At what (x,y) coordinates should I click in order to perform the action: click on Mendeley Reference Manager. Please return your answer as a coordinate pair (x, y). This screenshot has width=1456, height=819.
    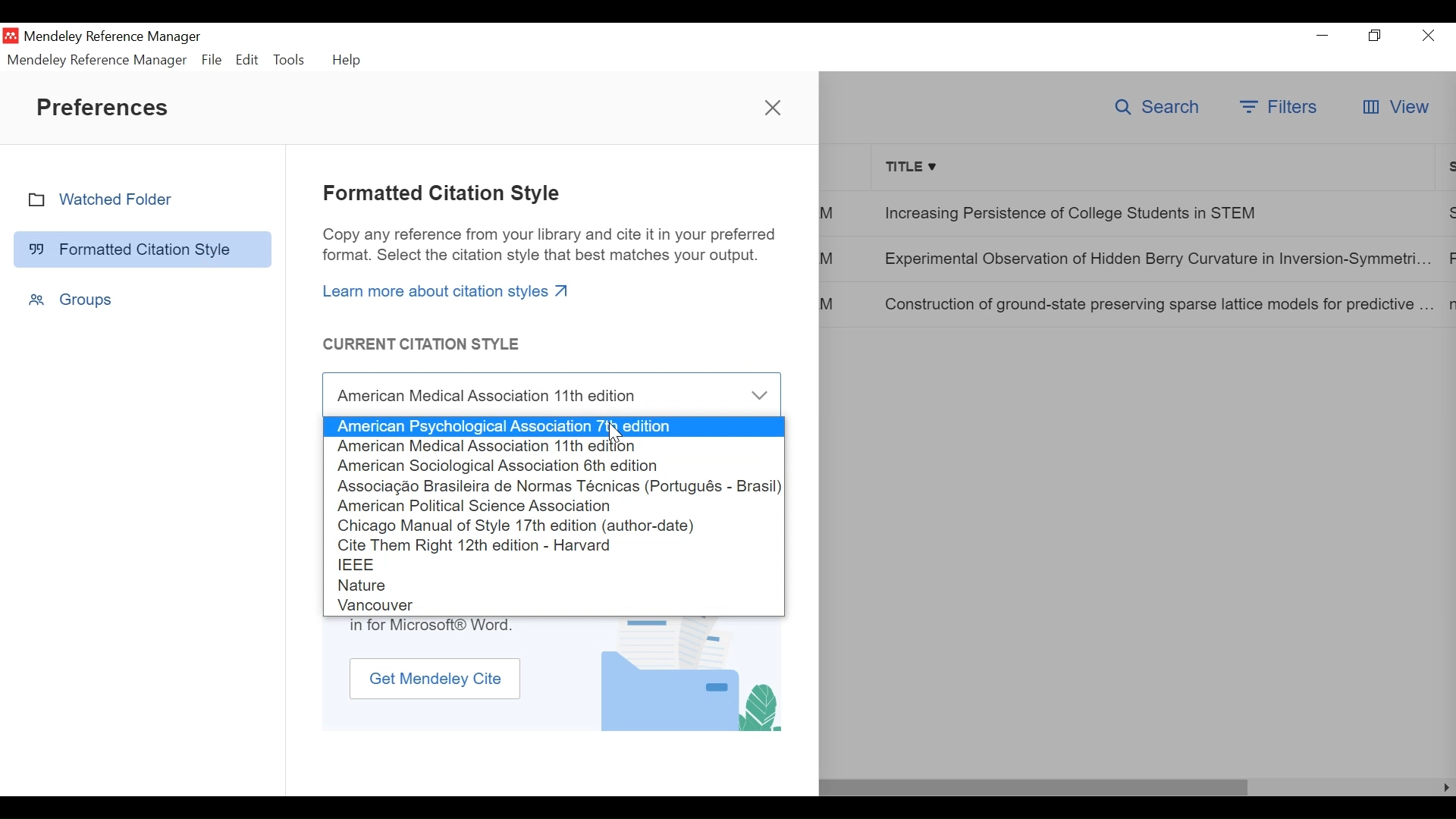
    Looking at the image, I should click on (98, 60).